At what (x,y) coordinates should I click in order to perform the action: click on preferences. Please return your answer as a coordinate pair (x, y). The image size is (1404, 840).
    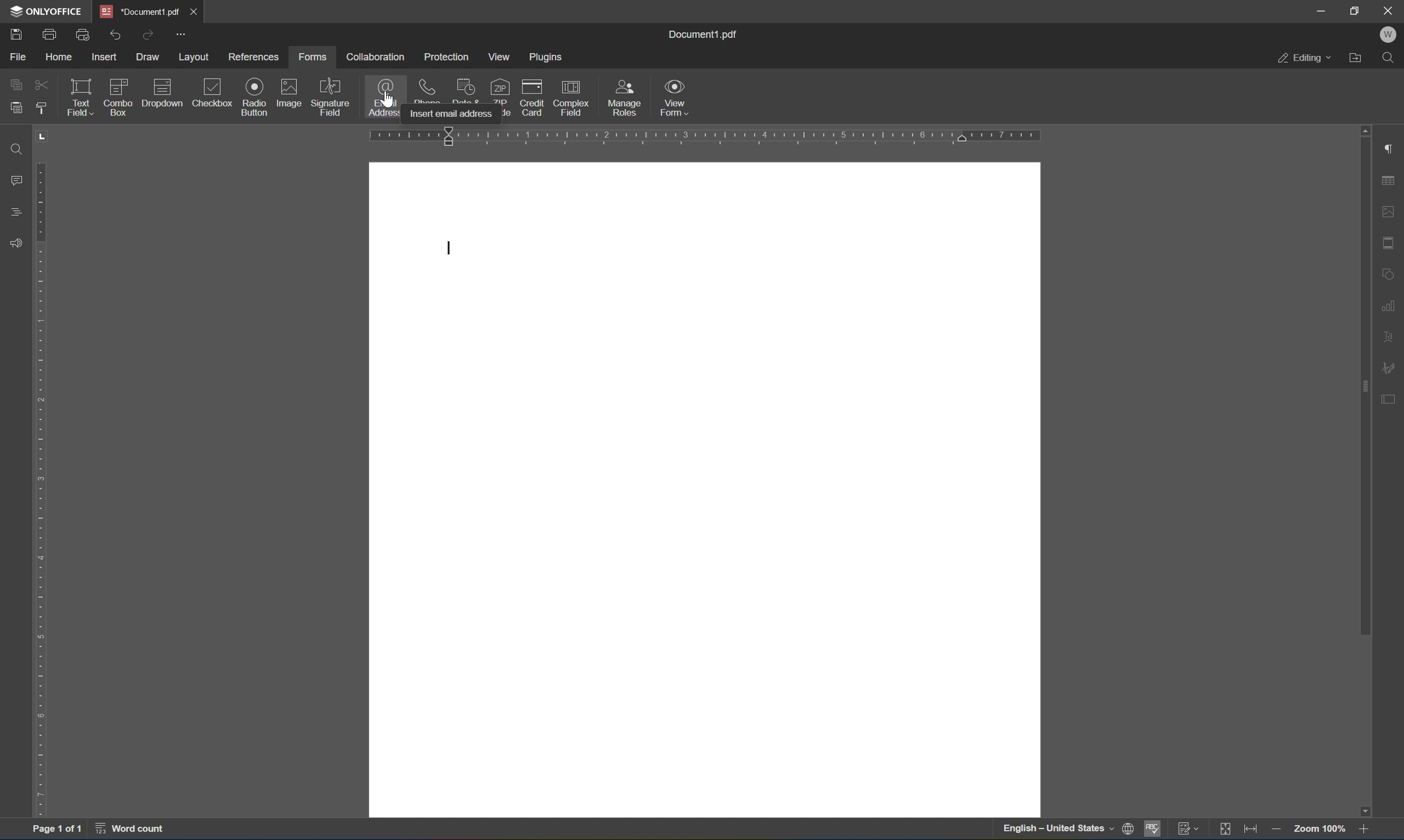
    Looking at the image, I should click on (254, 58).